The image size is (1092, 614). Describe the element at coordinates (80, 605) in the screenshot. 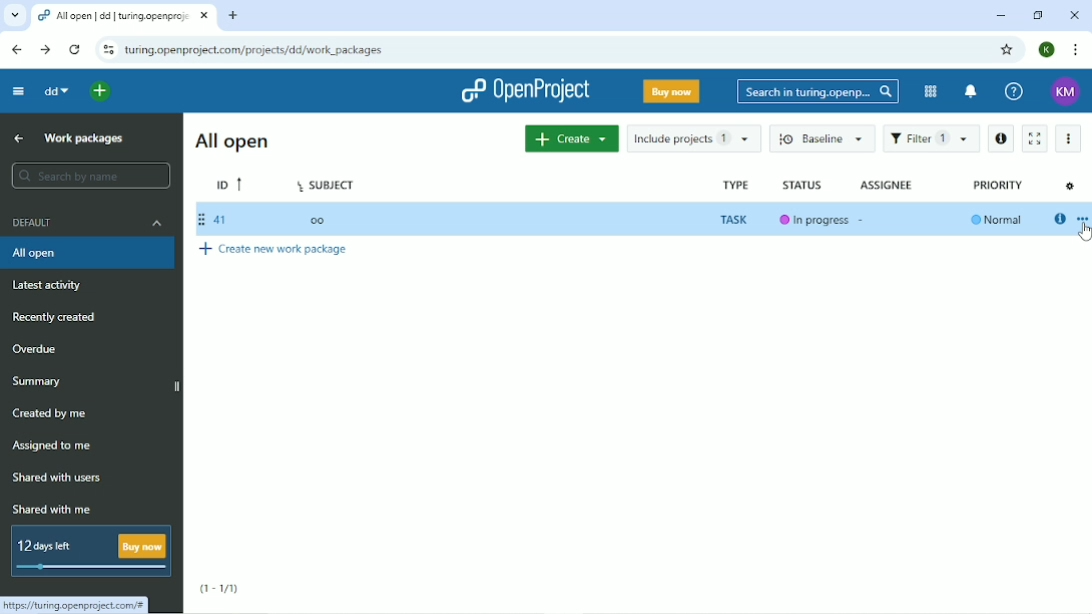

I see `Link` at that location.